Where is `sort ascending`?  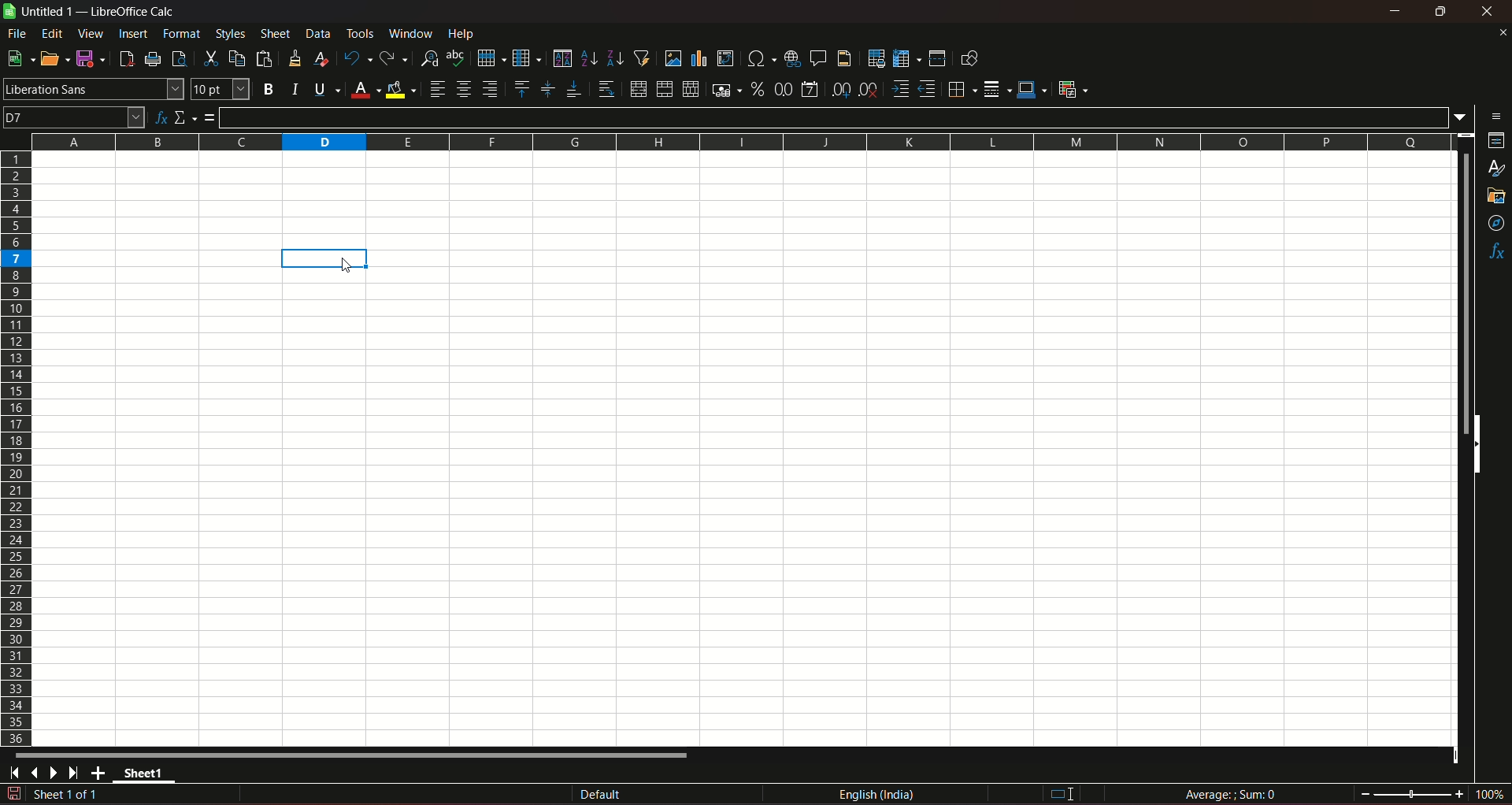
sort ascending is located at coordinates (590, 57).